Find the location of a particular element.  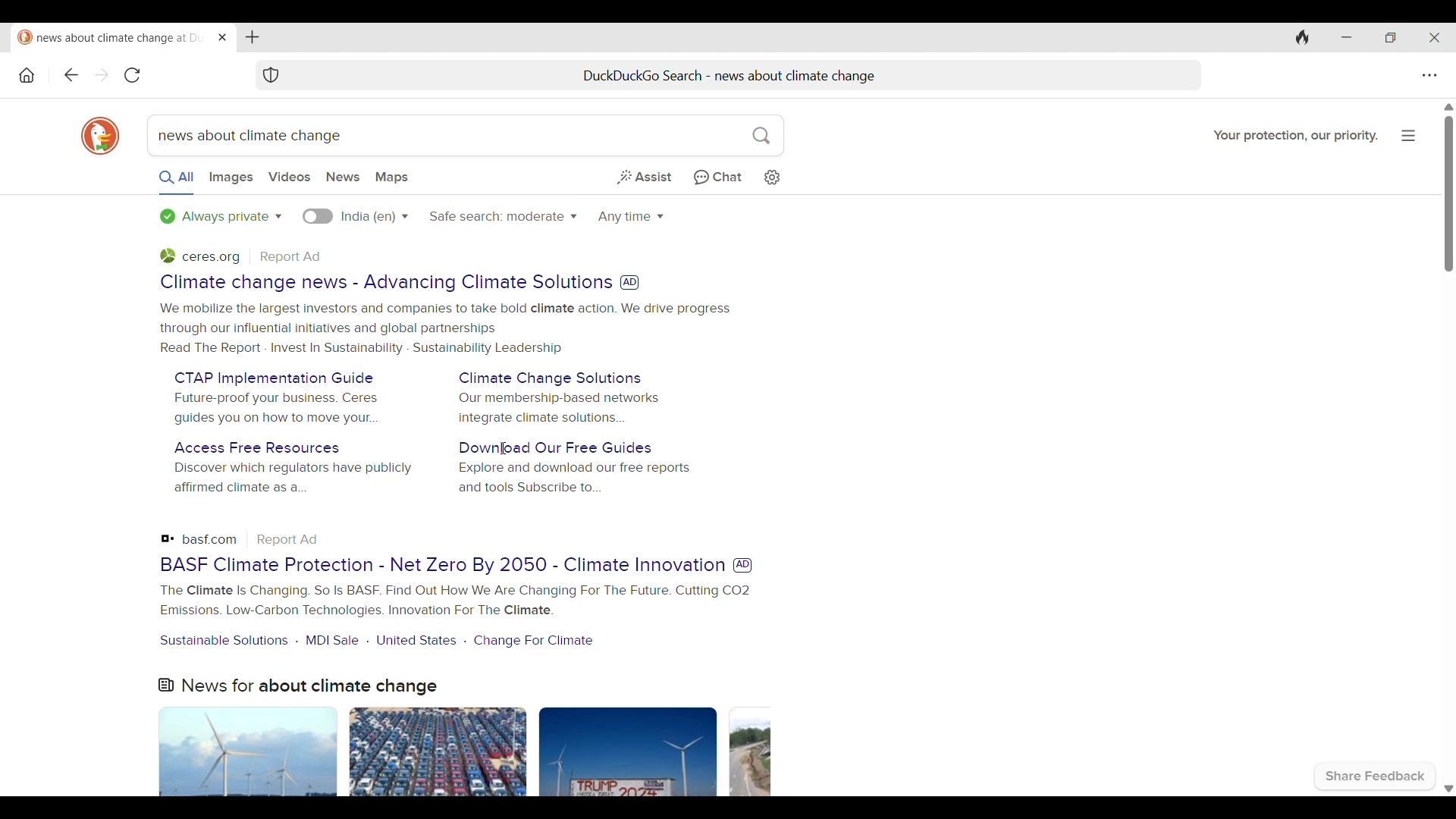

Report ad  is located at coordinates (289, 540).